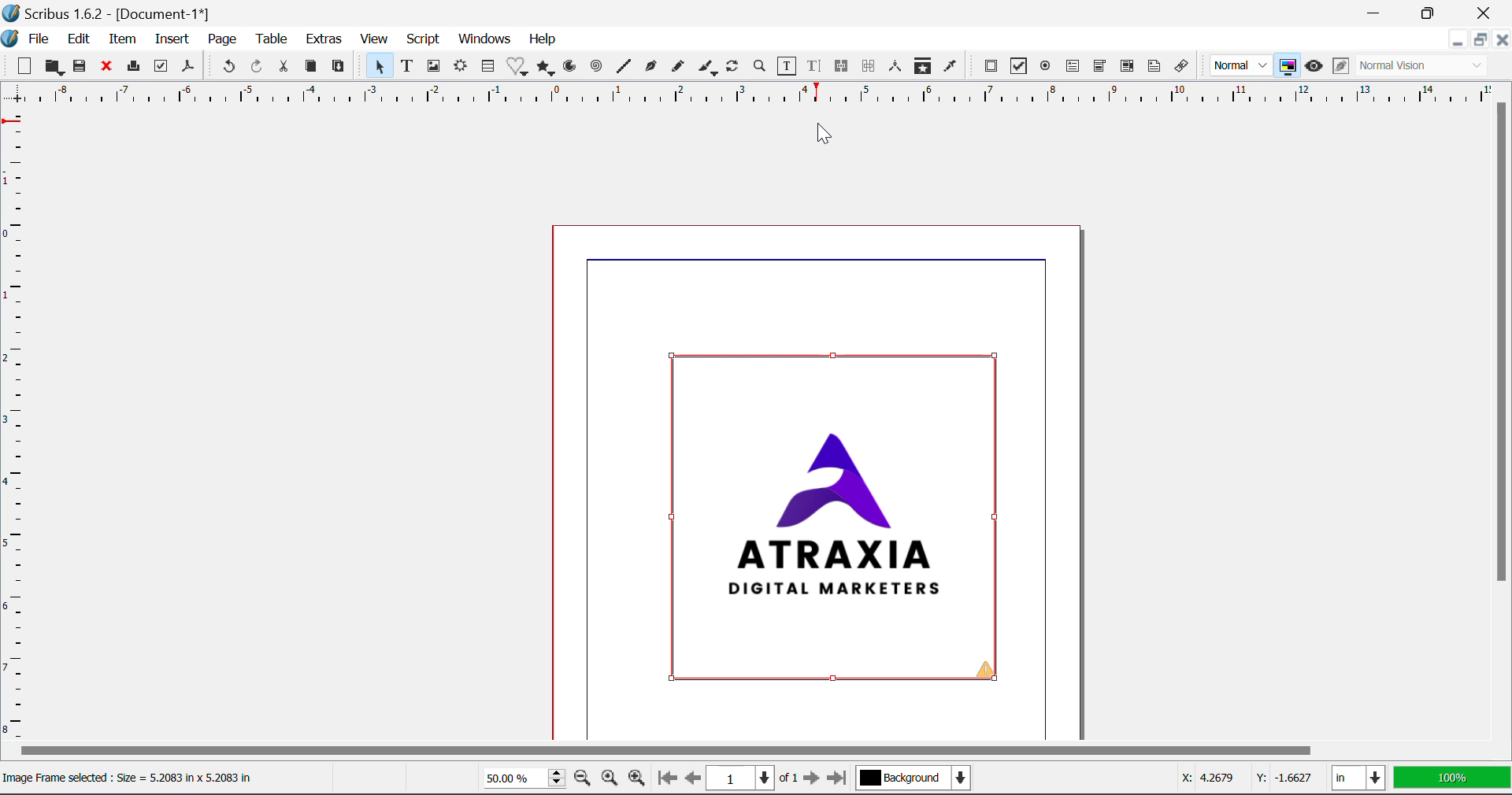 Image resolution: width=1512 pixels, height=795 pixels. What do you see at coordinates (1378, 13) in the screenshot?
I see `Restore Down` at bounding box center [1378, 13].